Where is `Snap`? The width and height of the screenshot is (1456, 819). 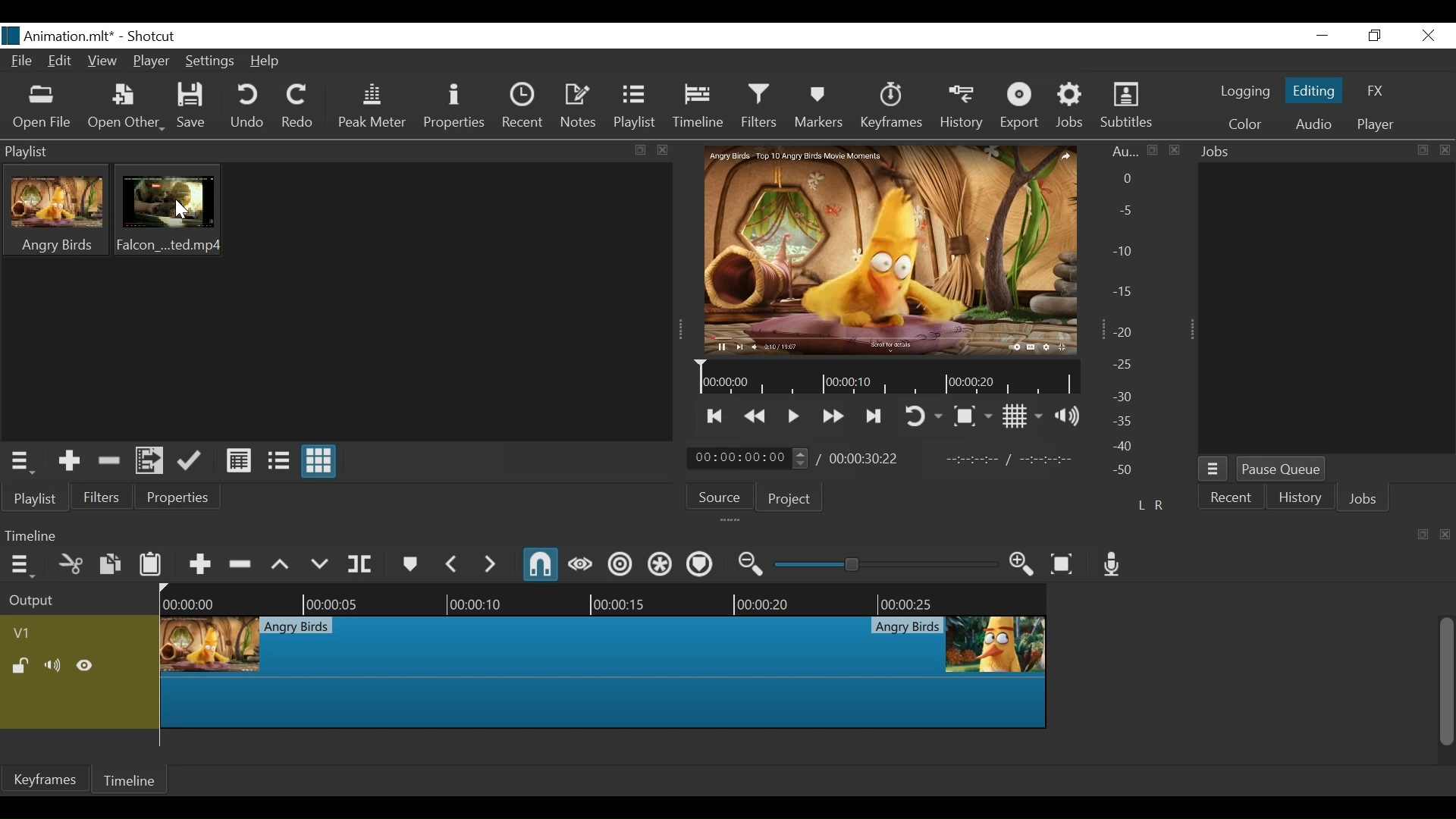 Snap is located at coordinates (542, 566).